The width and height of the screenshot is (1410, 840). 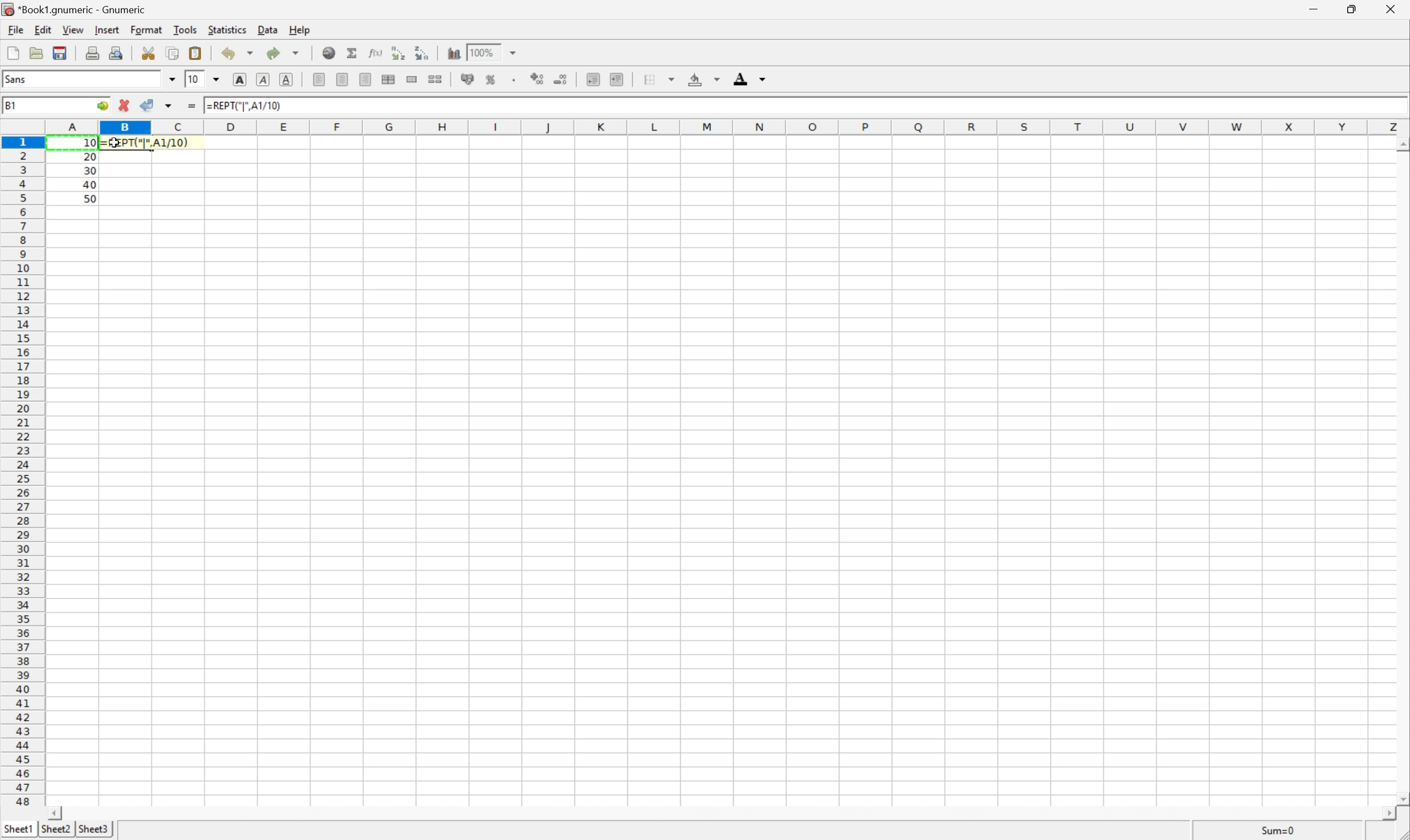 I want to click on Create a new workbook, so click(x=14, y=52).